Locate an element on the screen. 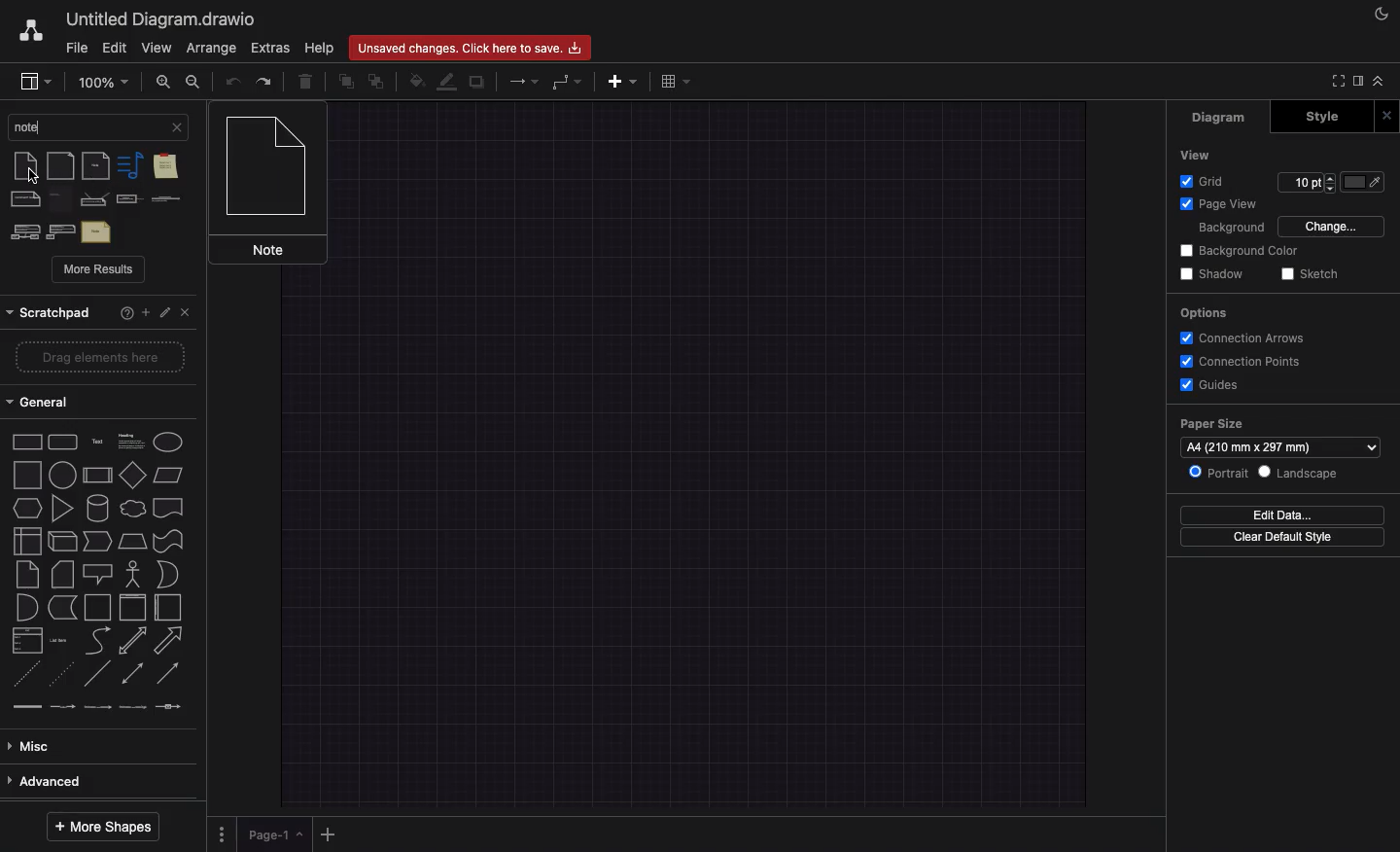 The height and width of the screenshot is (852, 1400). Options is located at coordinates (1205, 314).